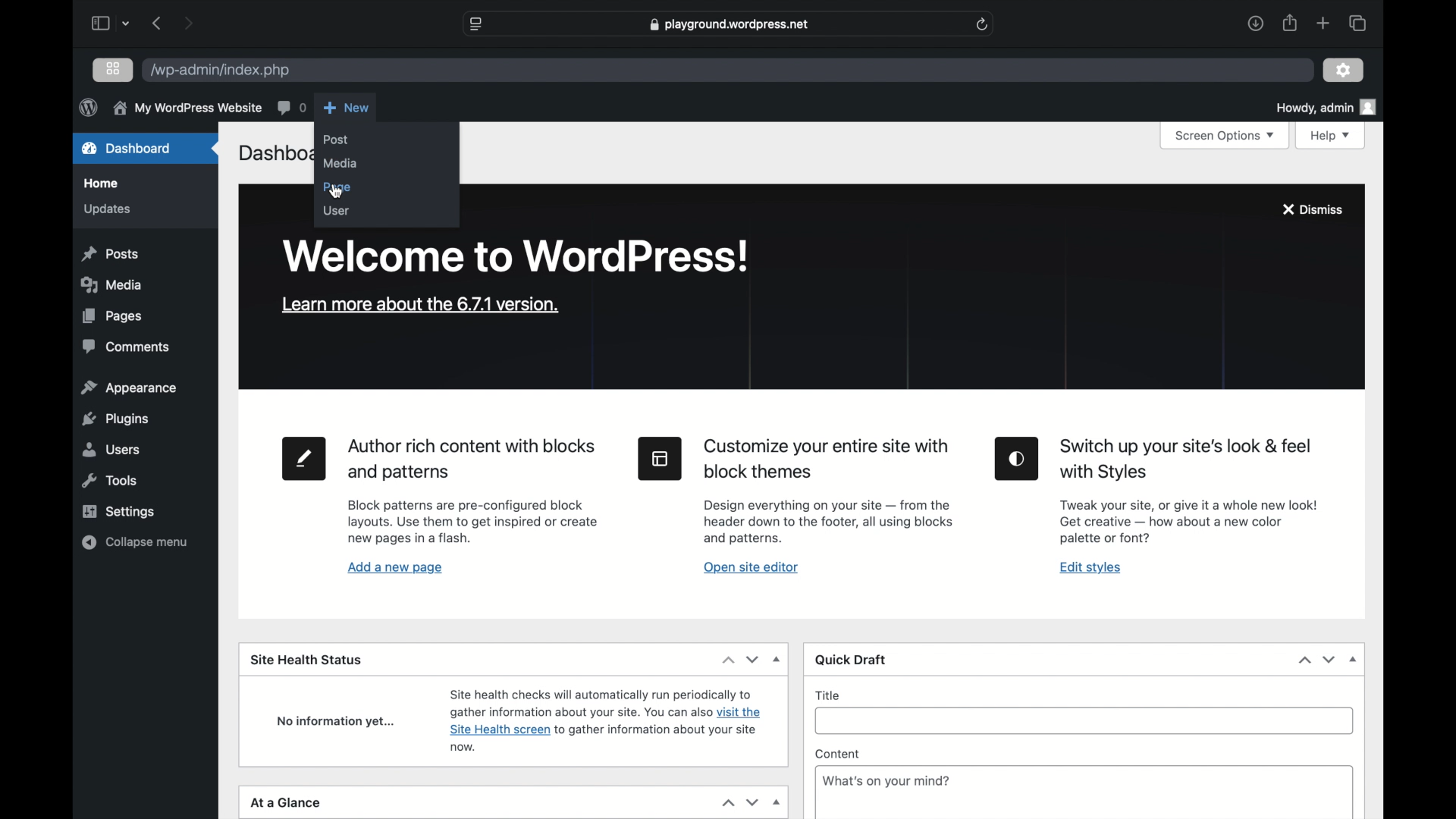 This screenshot has height=819, width=1456. Describe the element at coordinates (837, 754) in the screenshot. I see `content` at that location.